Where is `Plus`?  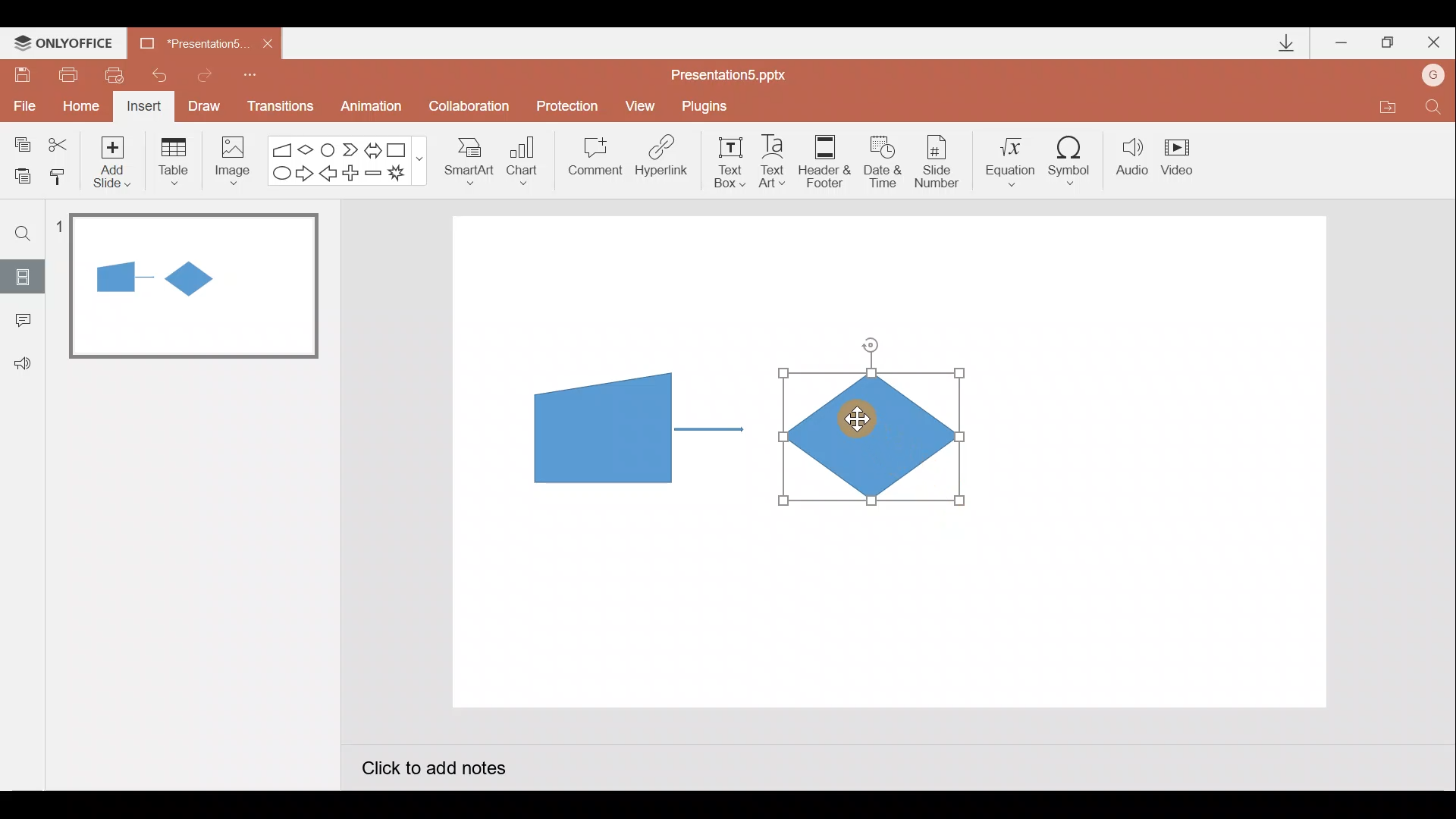
Plus is located at coordinates (353, 175).